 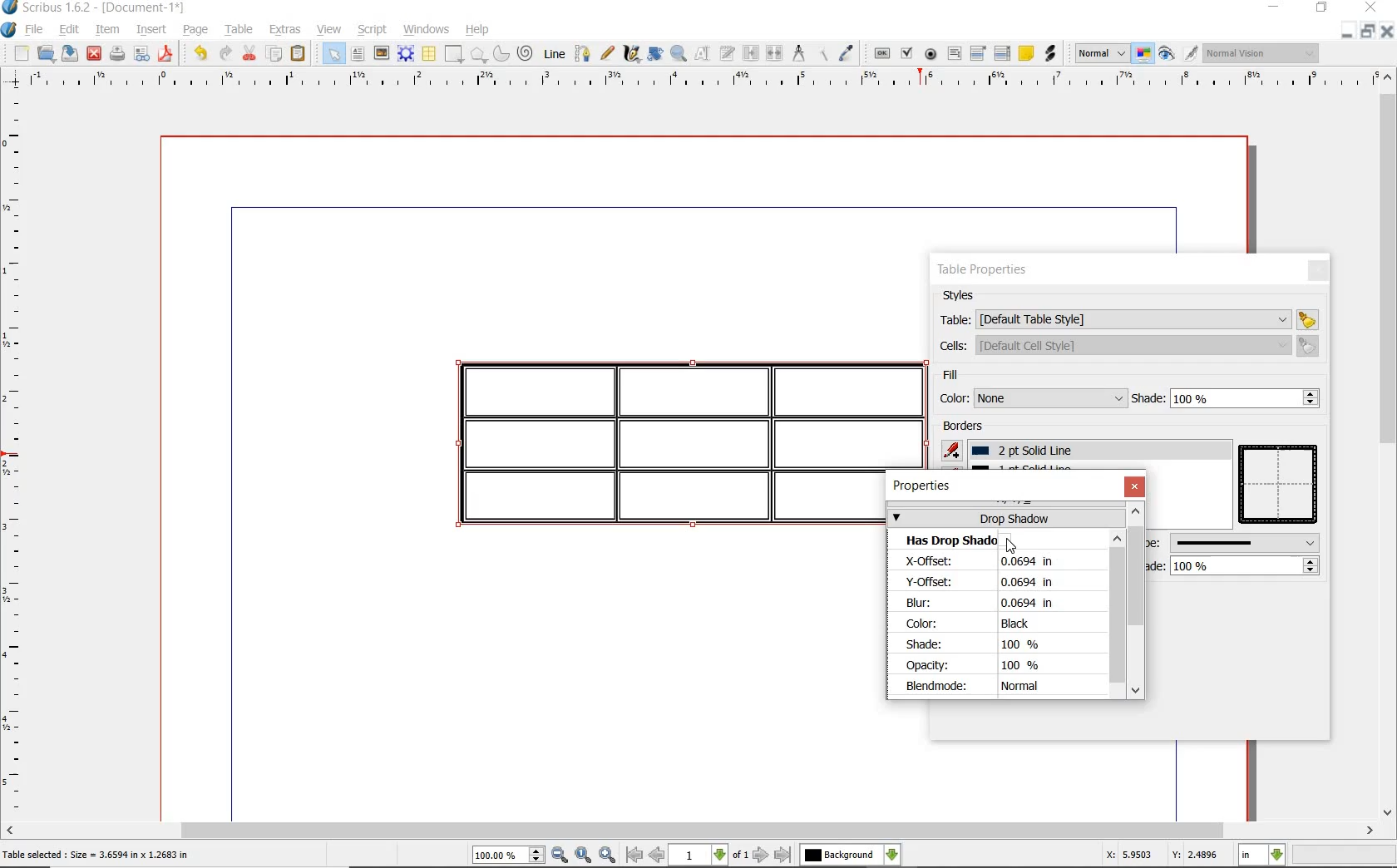 I want to click on scrollbar, so click(x=1119, y=614).